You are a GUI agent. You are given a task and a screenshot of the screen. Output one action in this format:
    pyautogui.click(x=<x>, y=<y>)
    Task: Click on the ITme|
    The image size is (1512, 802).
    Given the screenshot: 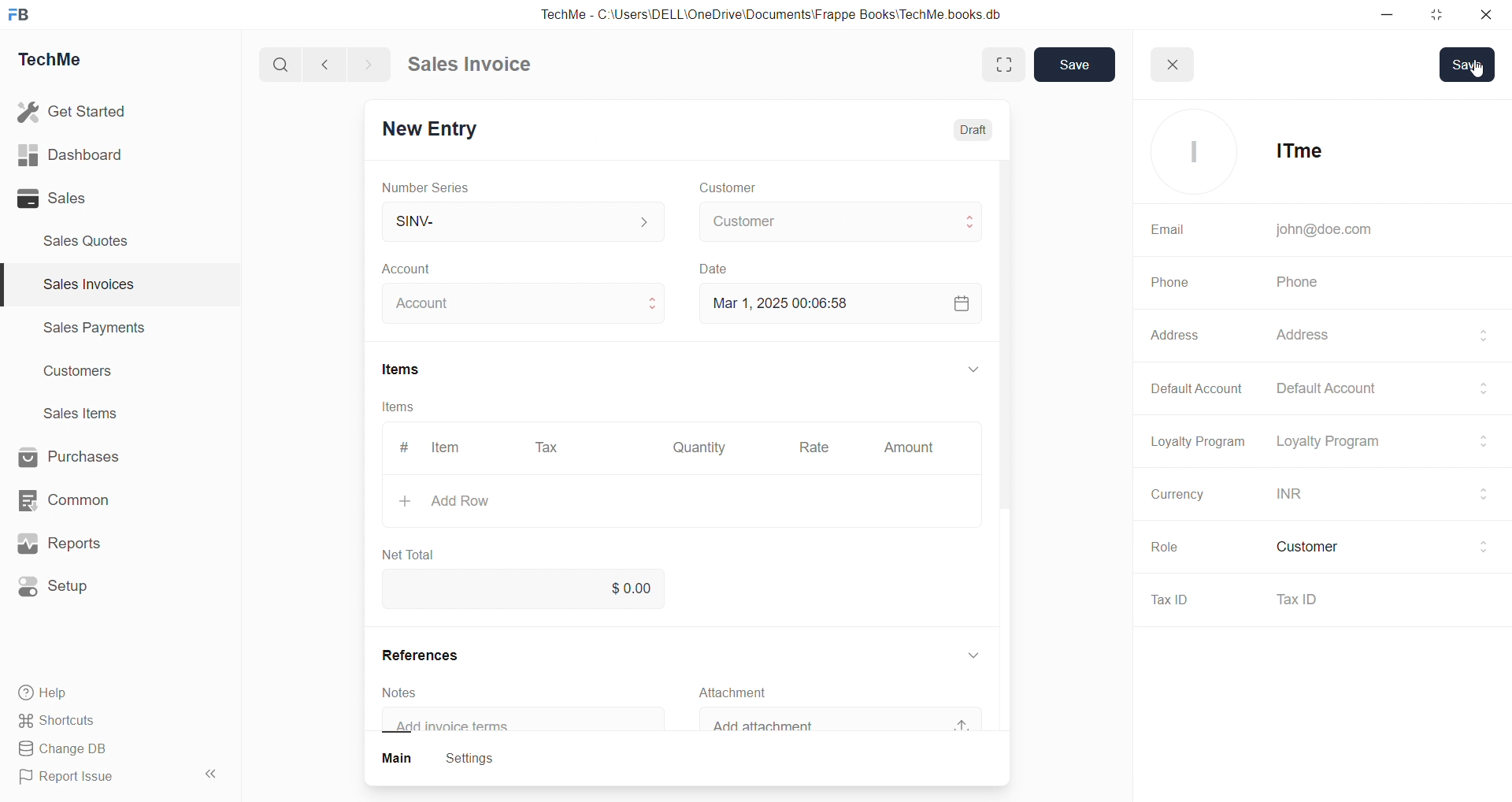 What is the action you would take?
    pyautogui.click(x=842, y=221)
    